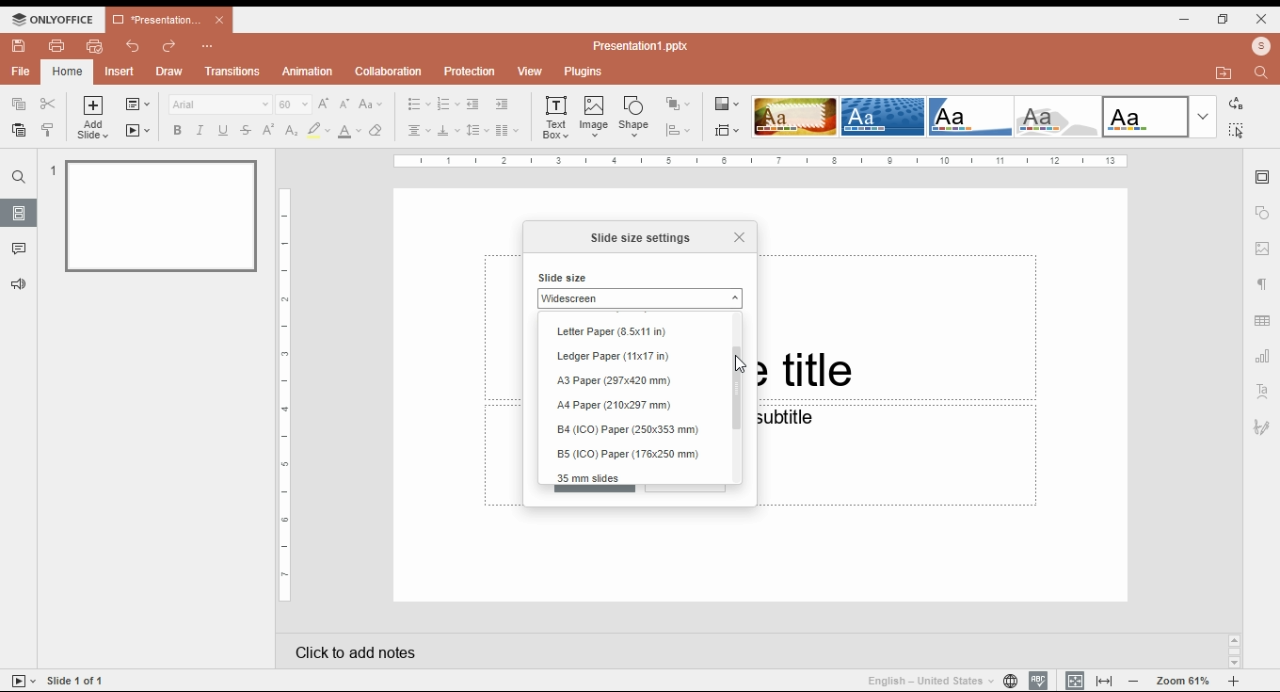 This screenshot has width=1280, height=692. What do you see at coordinates (371, 104) in the screenshot?
I see `change case` at bounding box center [371, 104].